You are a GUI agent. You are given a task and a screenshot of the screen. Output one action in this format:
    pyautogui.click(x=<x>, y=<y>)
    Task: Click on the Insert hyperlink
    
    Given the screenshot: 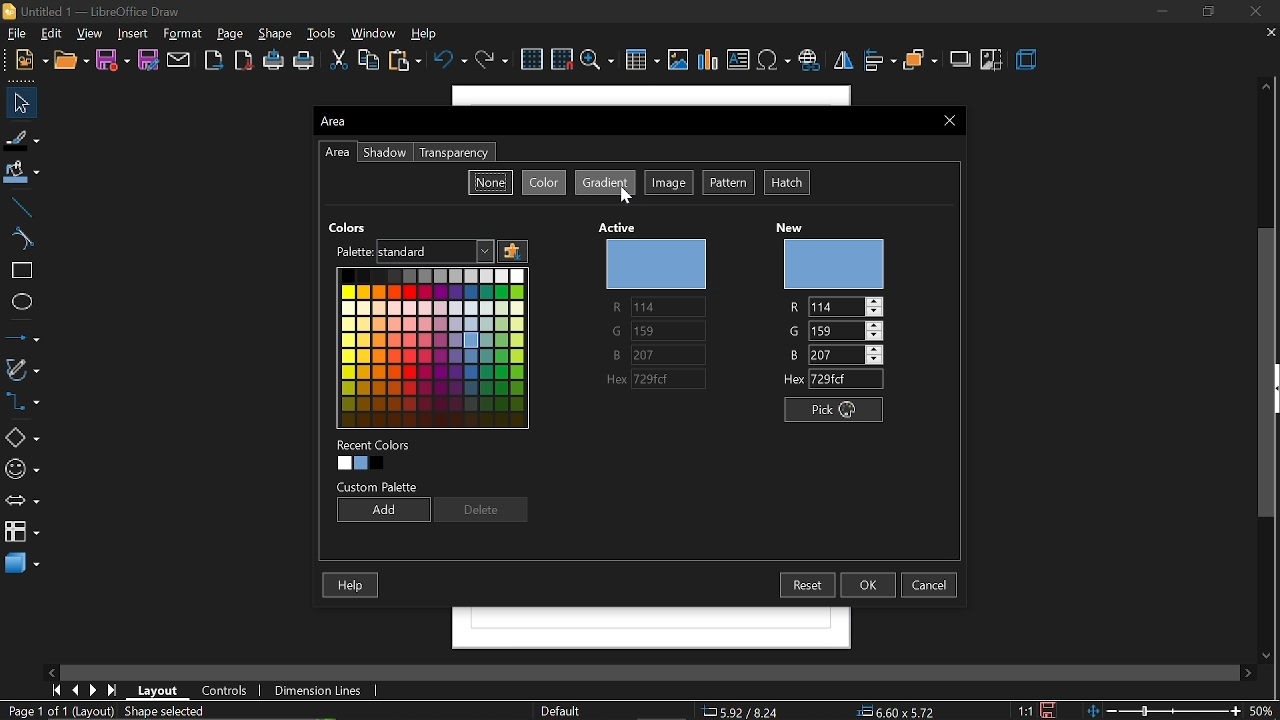 What is the action you would take?
    pyautogui.click(x=810, y=62)
    